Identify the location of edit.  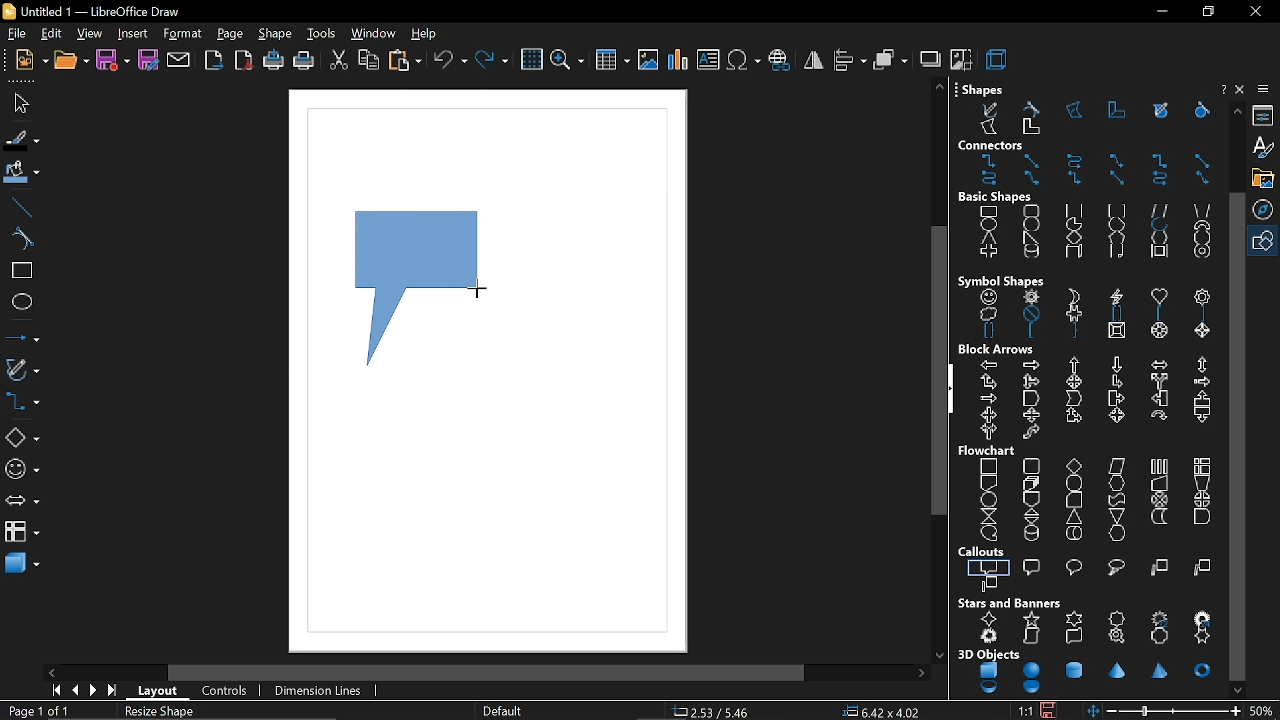
(50, 34).